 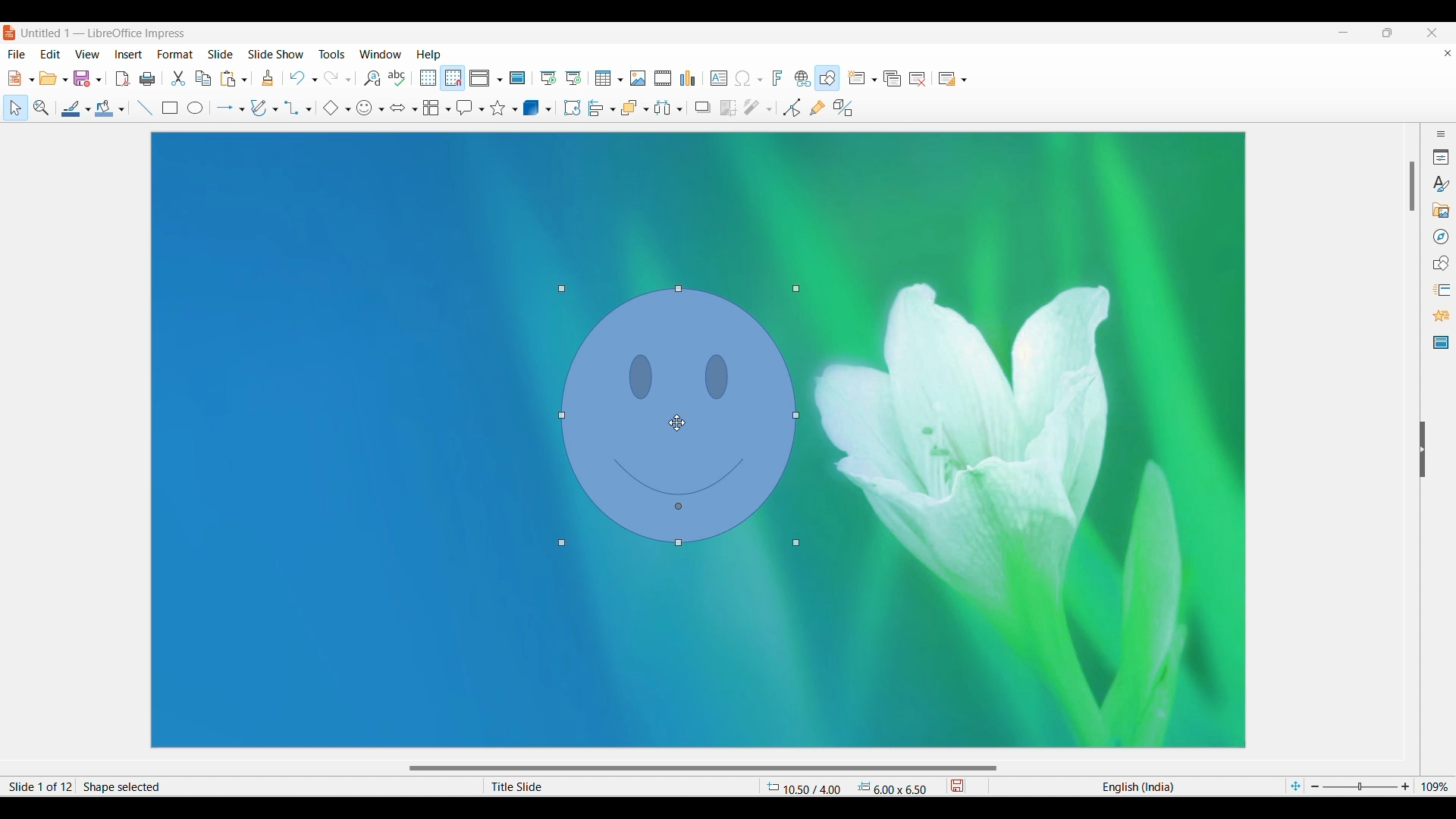 I want to click on Selected symbol, so click(x=364, y=108).